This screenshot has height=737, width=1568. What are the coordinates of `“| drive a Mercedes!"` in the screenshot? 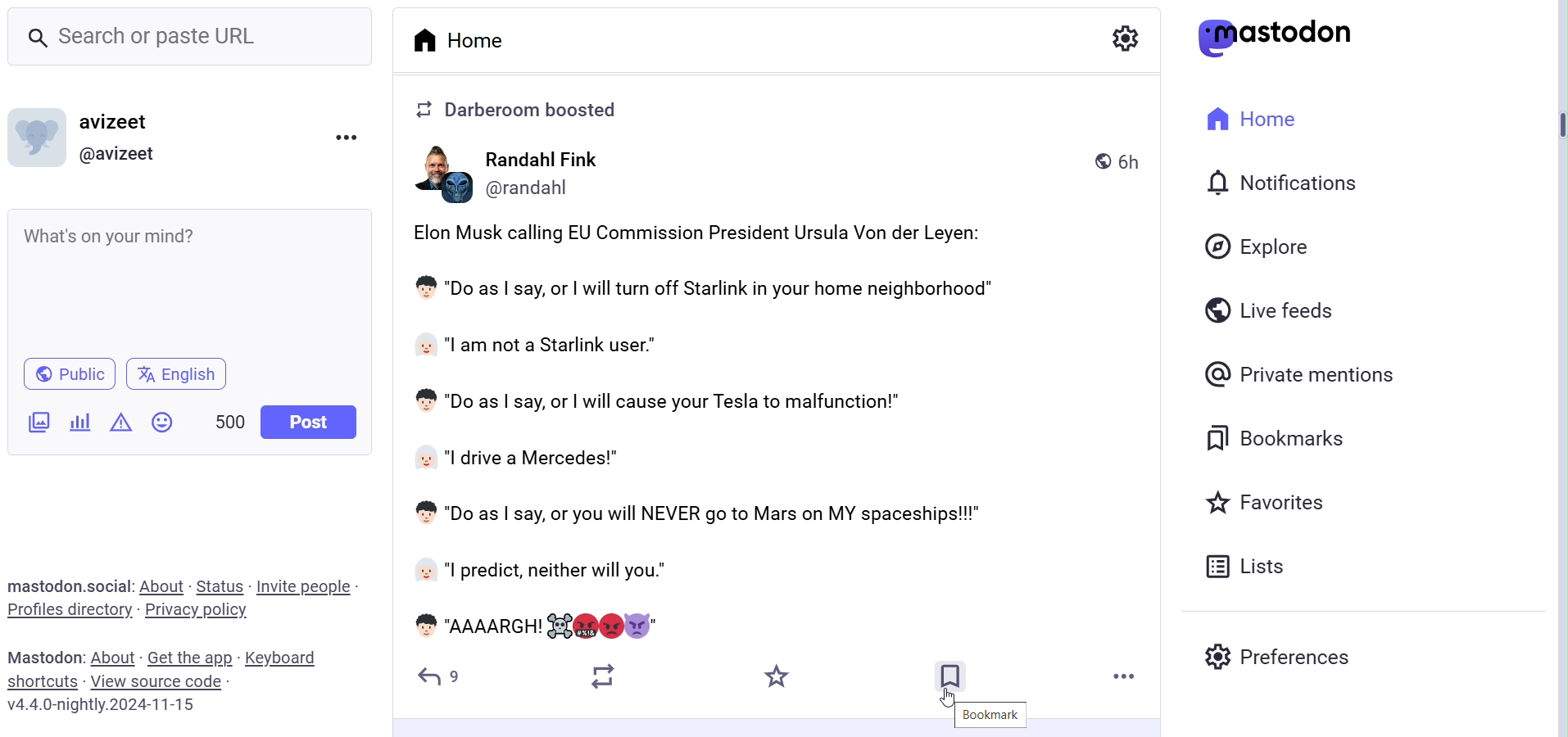 It's located at (521, 458).